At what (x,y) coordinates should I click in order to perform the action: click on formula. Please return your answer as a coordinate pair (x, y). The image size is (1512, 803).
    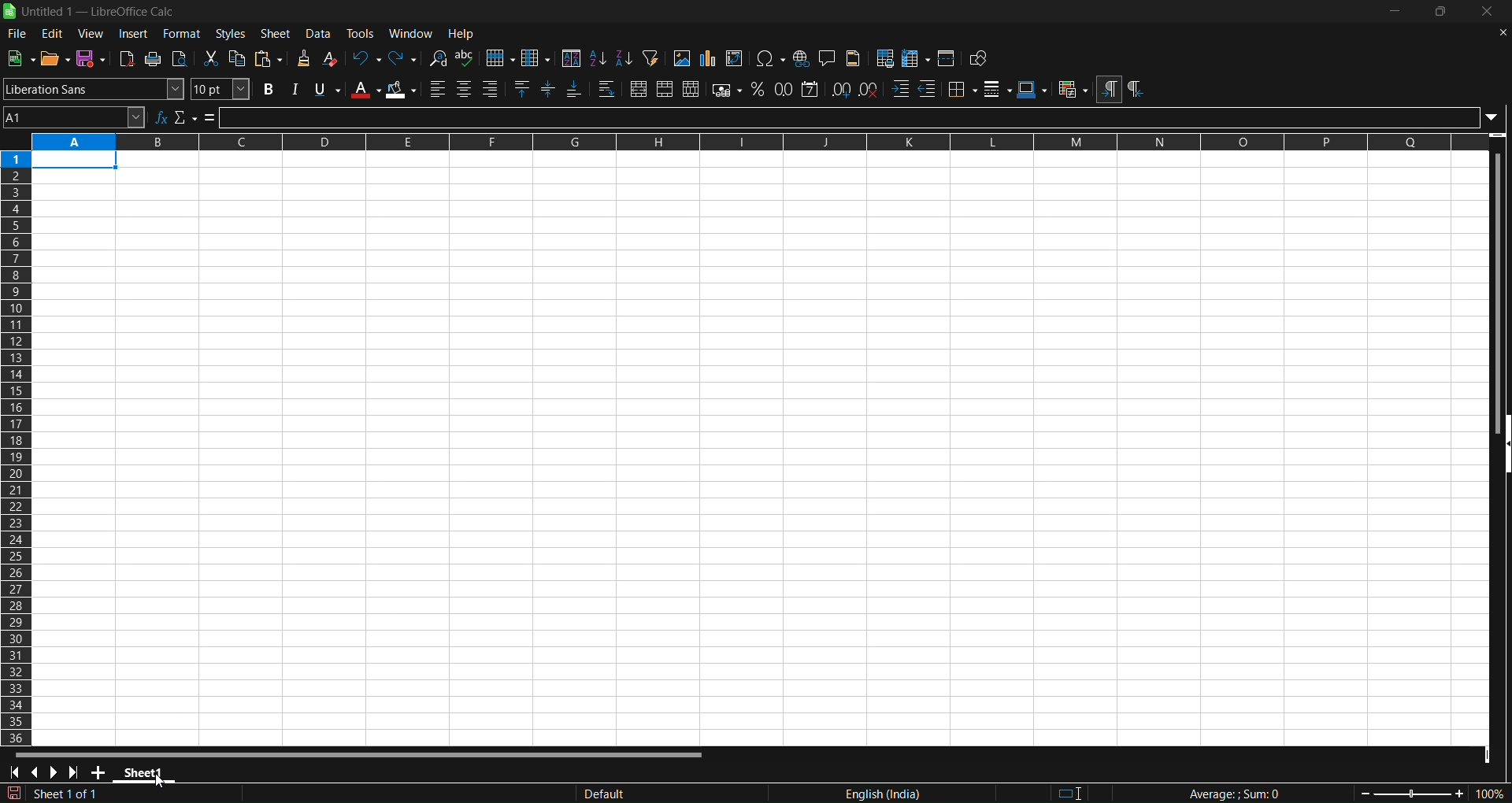
    Looking at the image, I should click on (210, 118).